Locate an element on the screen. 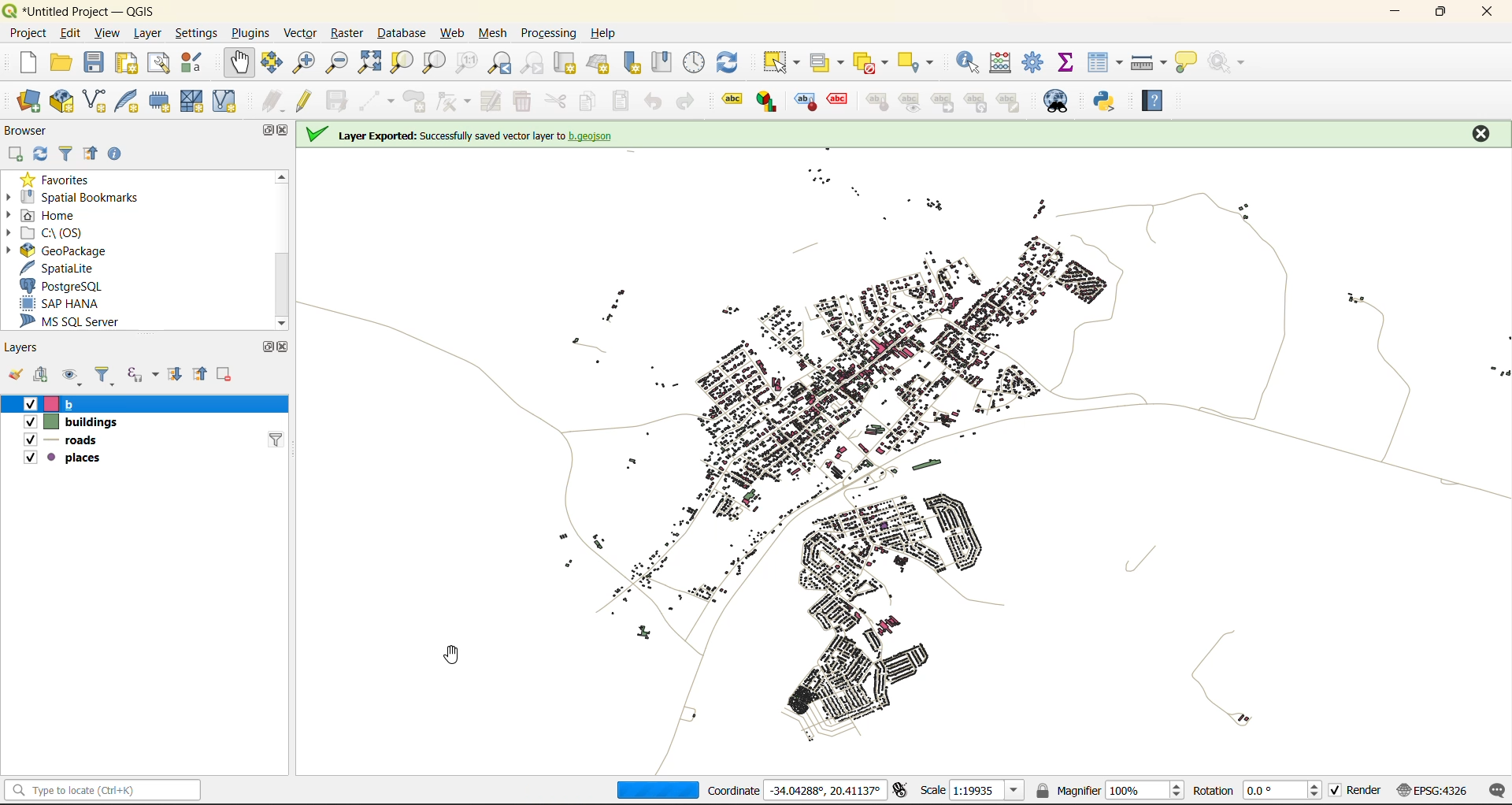  cursor is located at coordinates (458, 655).